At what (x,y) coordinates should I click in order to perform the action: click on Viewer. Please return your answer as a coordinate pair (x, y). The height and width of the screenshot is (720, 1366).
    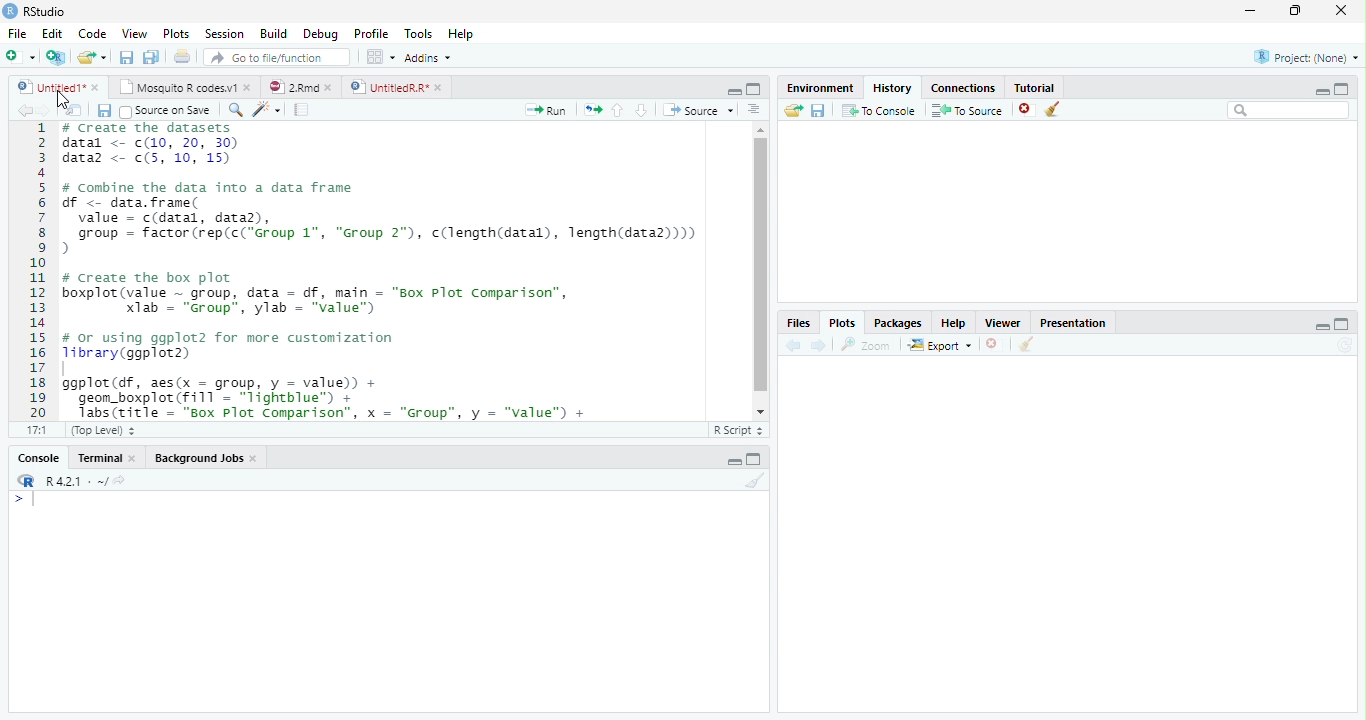
    Looking at the image, I should click on (1004, 322).